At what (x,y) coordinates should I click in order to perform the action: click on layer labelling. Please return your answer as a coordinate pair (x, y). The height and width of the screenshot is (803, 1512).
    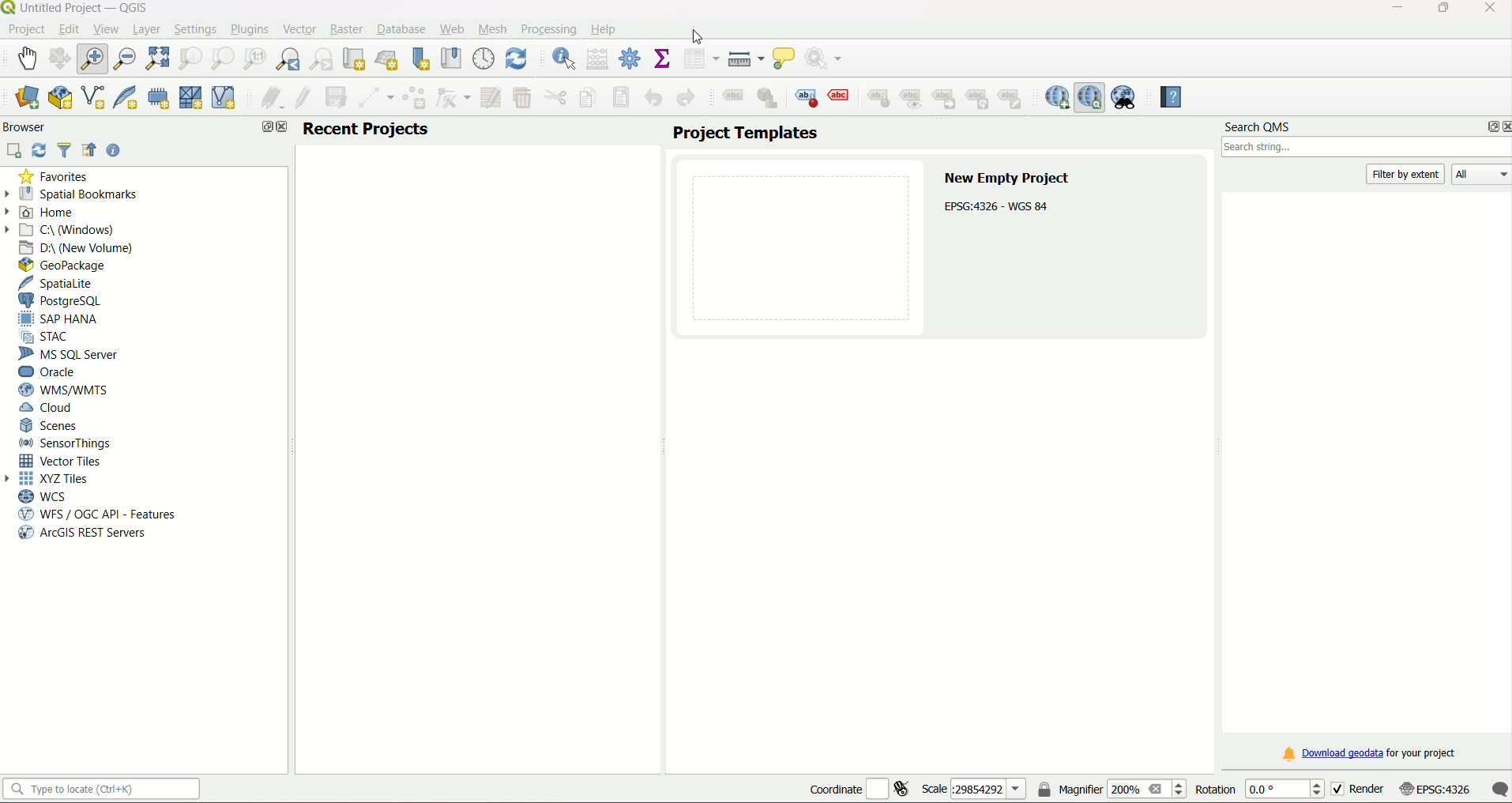
    Looking at the image, I should click on (732, 100).